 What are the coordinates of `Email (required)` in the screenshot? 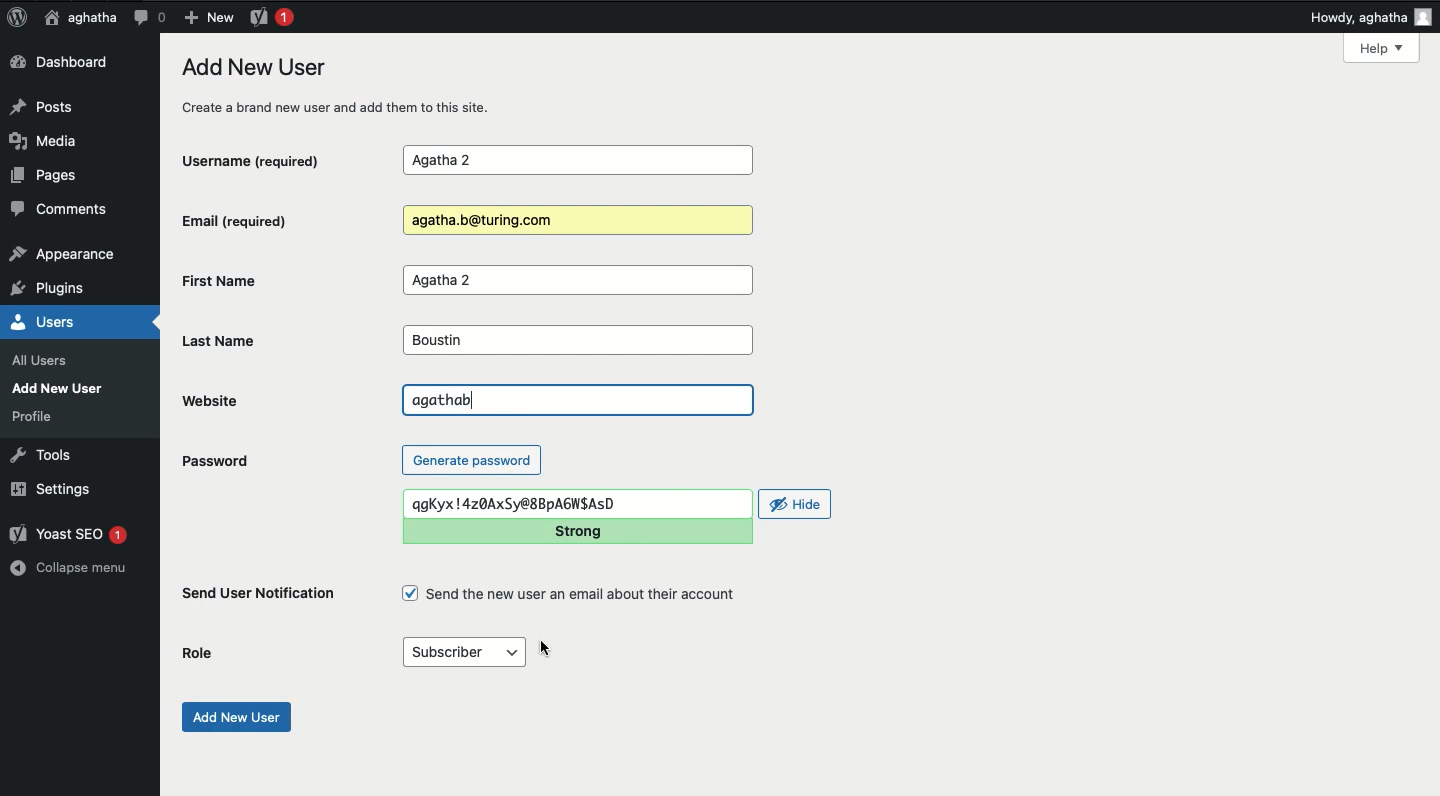 It's located at (269, 220).